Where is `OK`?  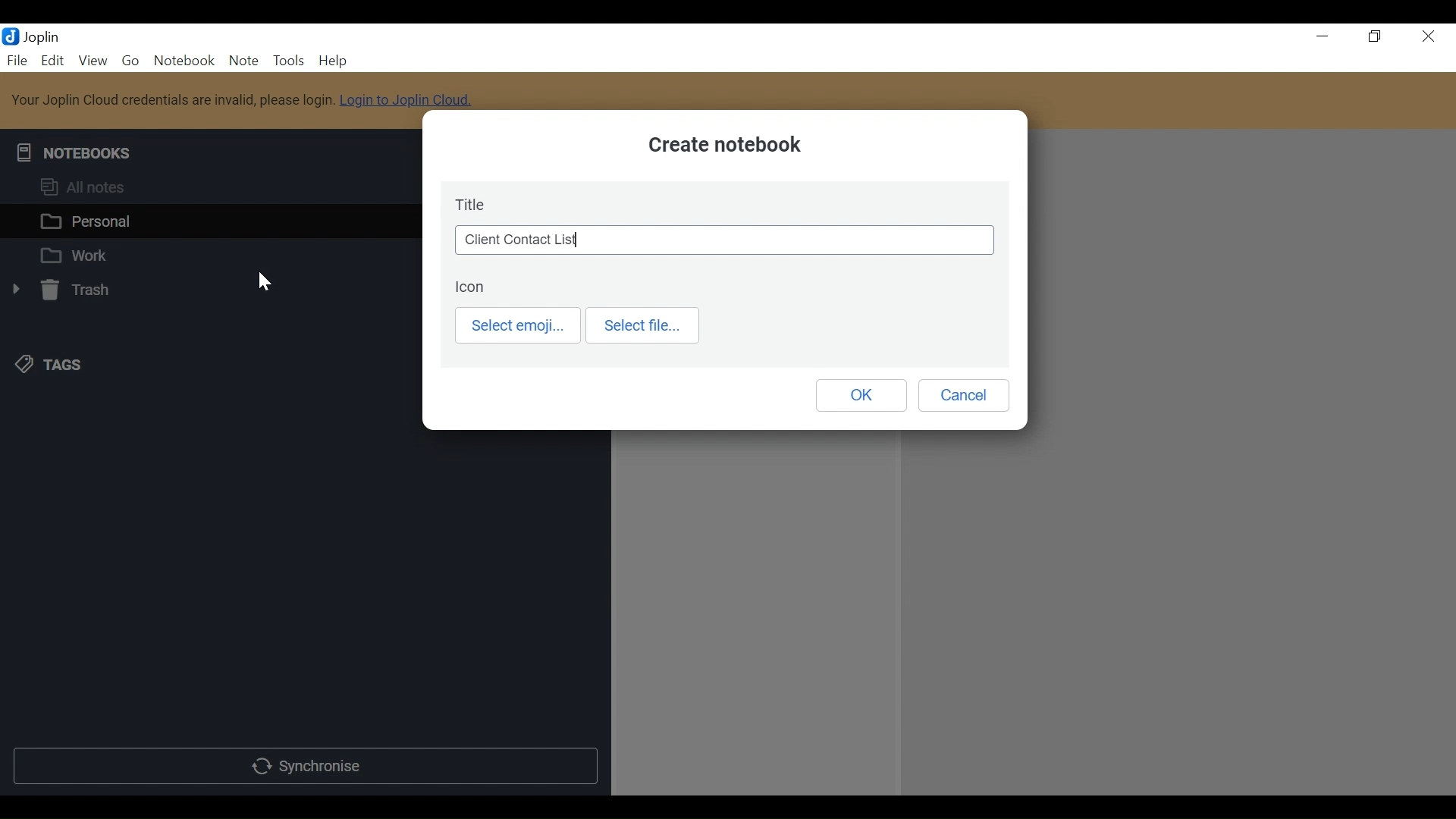 OK is located at coordinates (859, 395).